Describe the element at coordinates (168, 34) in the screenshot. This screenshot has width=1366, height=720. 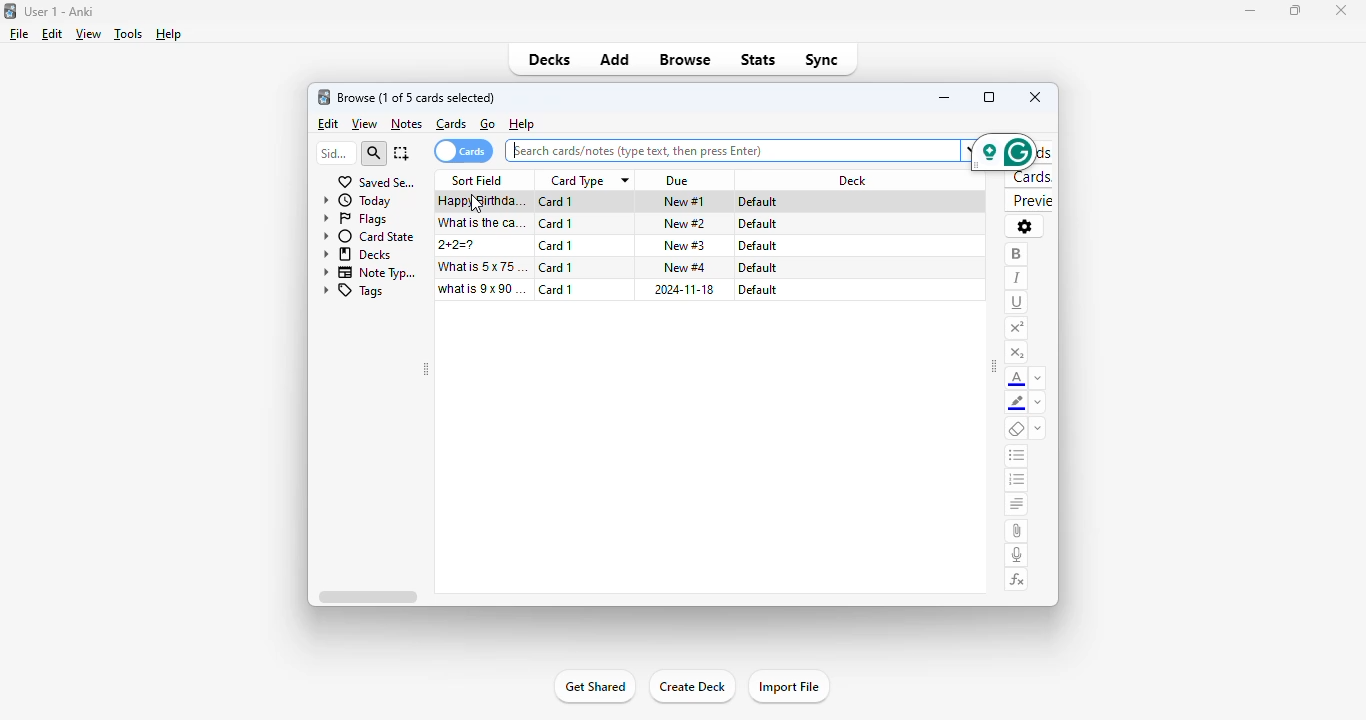
I see `help` at that location.